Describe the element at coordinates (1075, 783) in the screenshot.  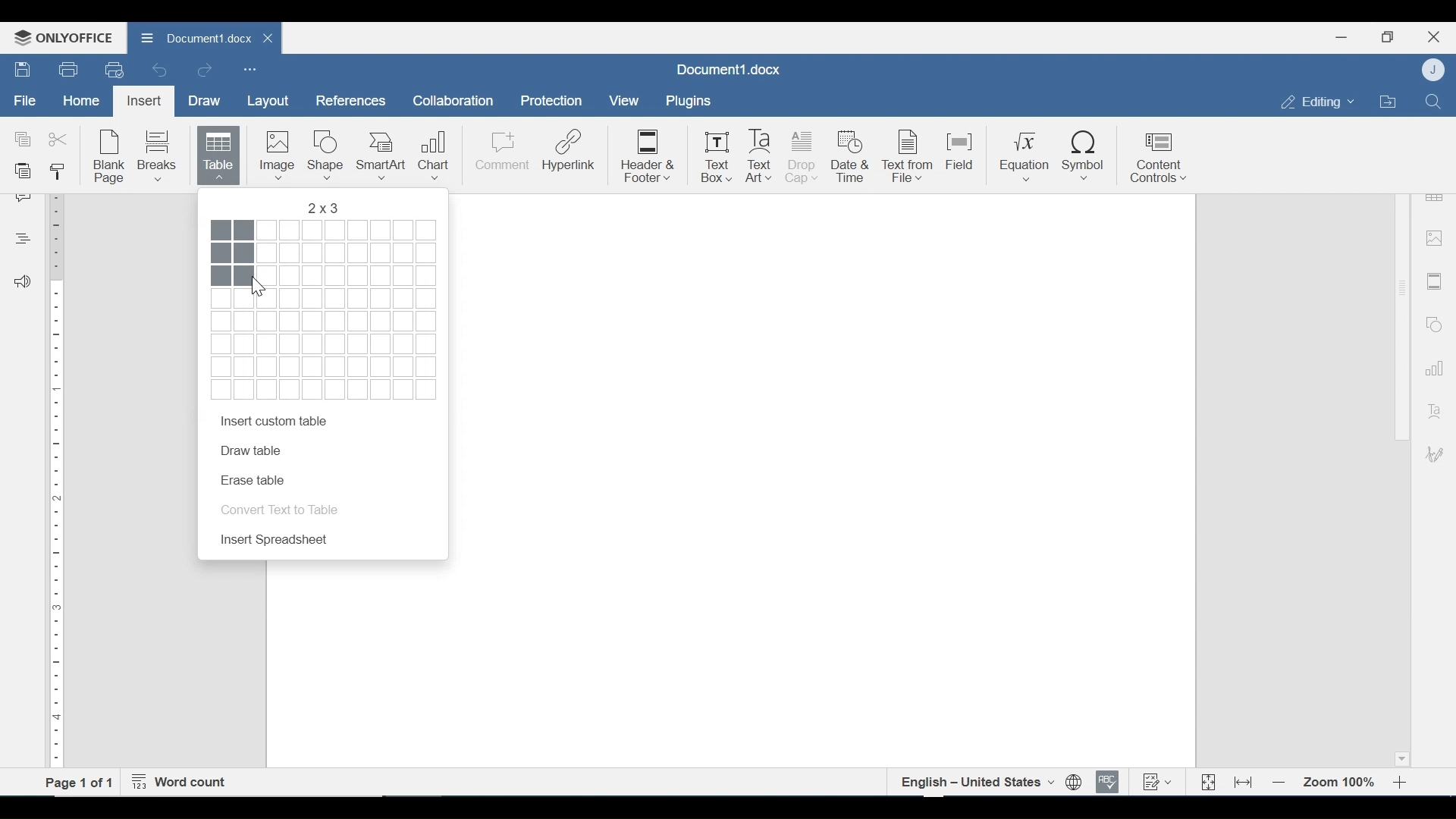
I see `Set document language` at that location.